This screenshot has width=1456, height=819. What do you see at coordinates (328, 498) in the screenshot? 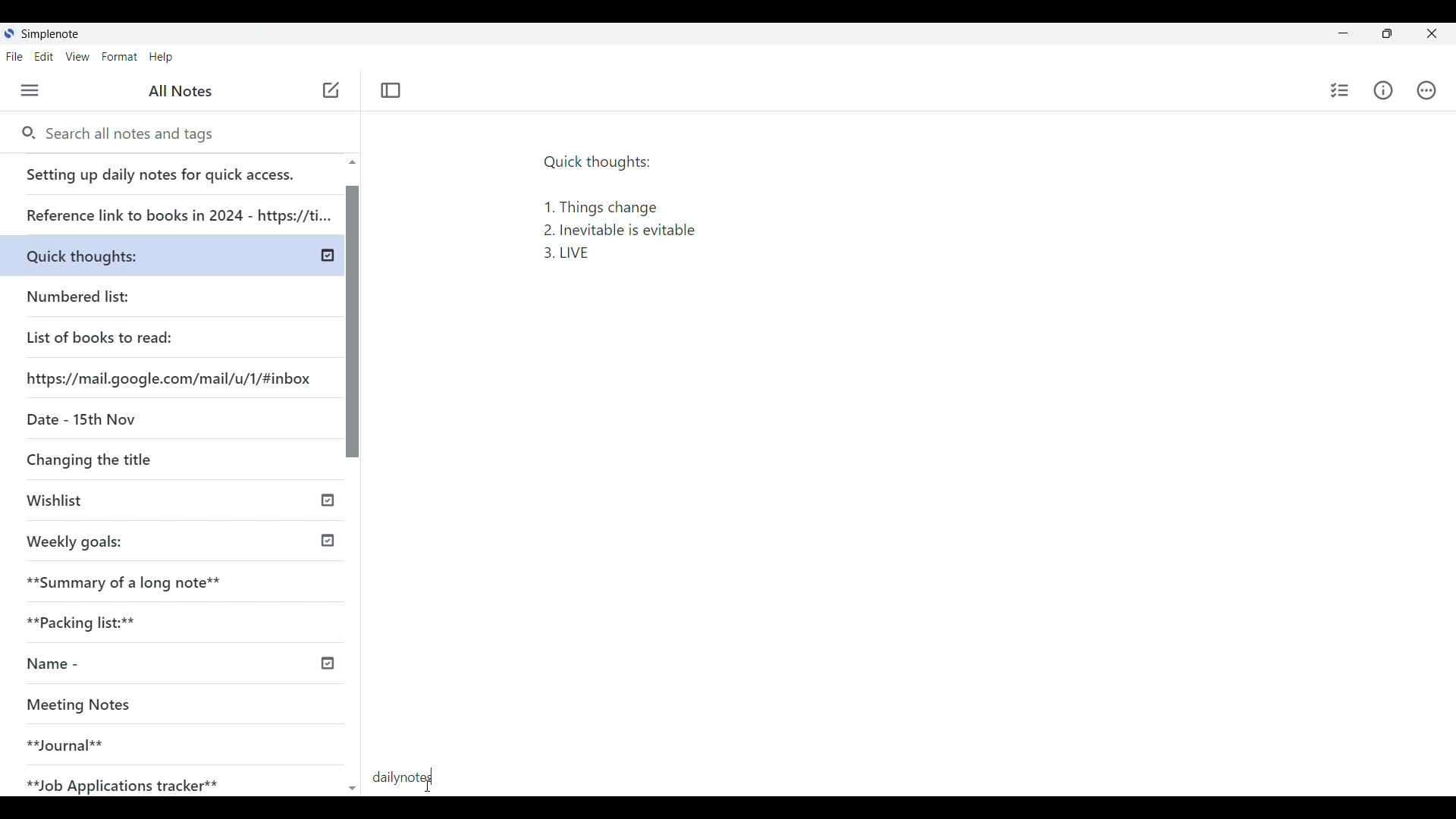
I see `published` at bounding box center [328, 498].